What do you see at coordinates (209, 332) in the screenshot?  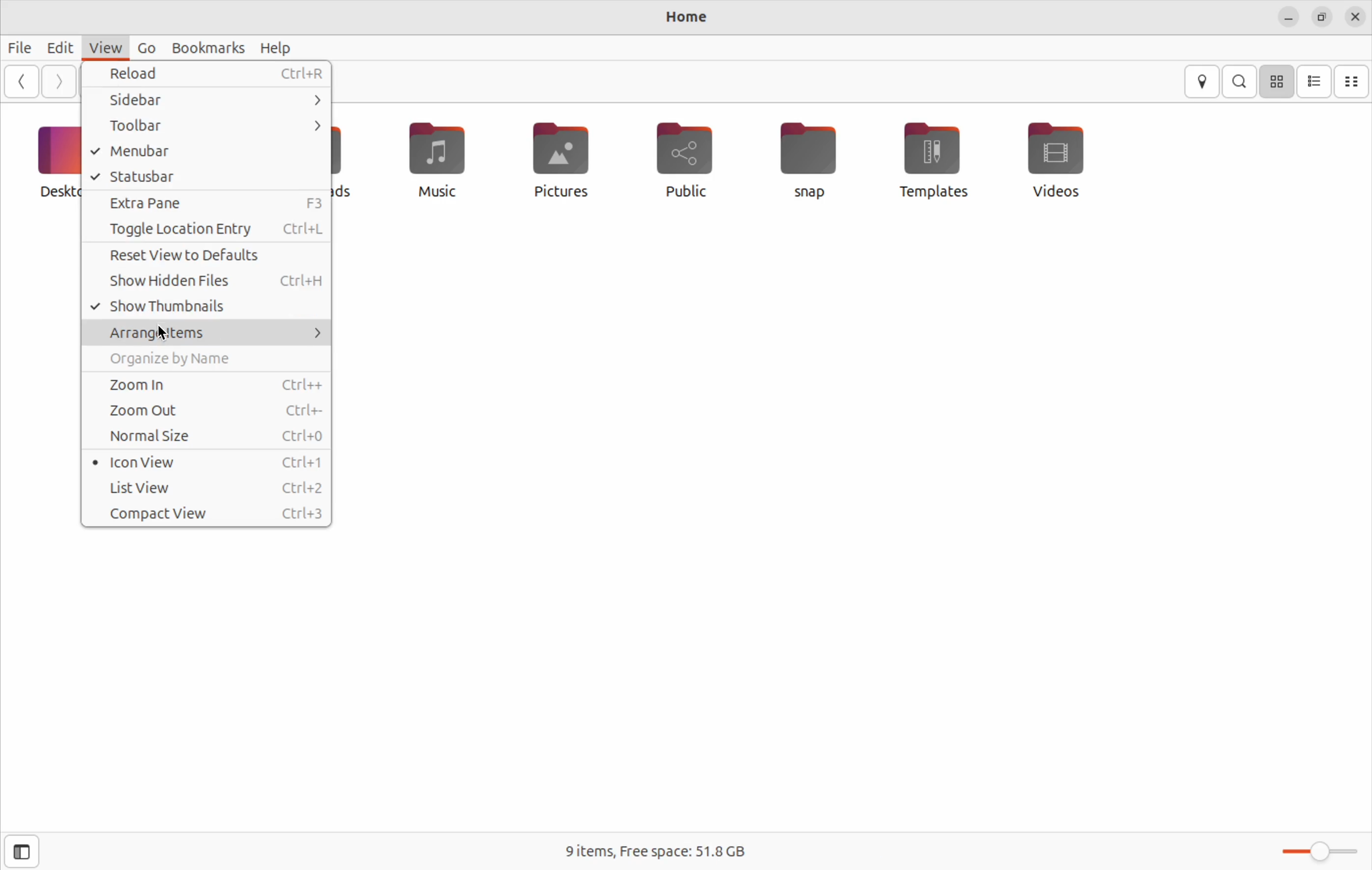 I see `arrange items` at bounding box center [209, 332].